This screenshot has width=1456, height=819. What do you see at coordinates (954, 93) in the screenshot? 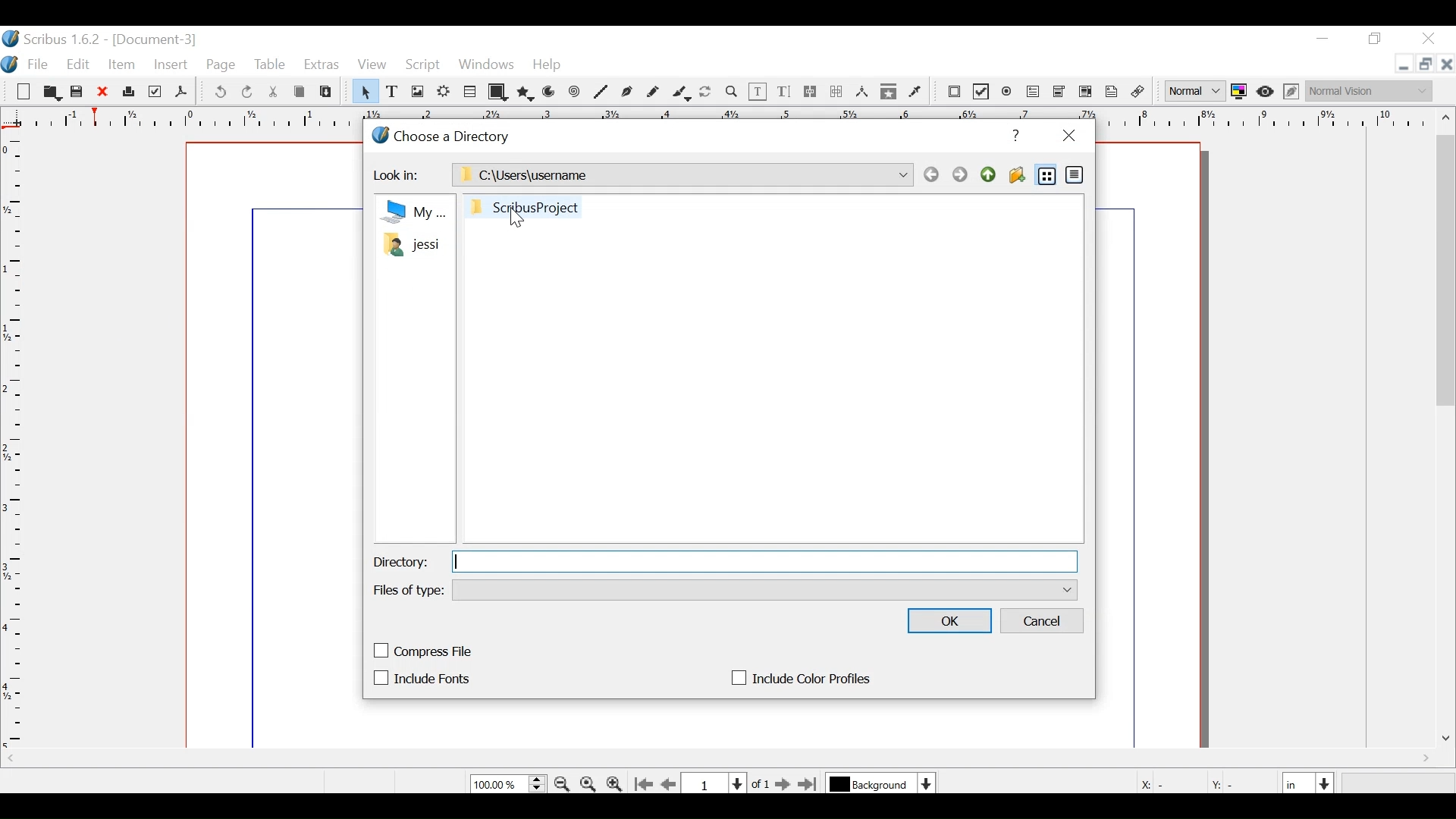
I see `PDF push Editor` at bounding box center [954, 93].